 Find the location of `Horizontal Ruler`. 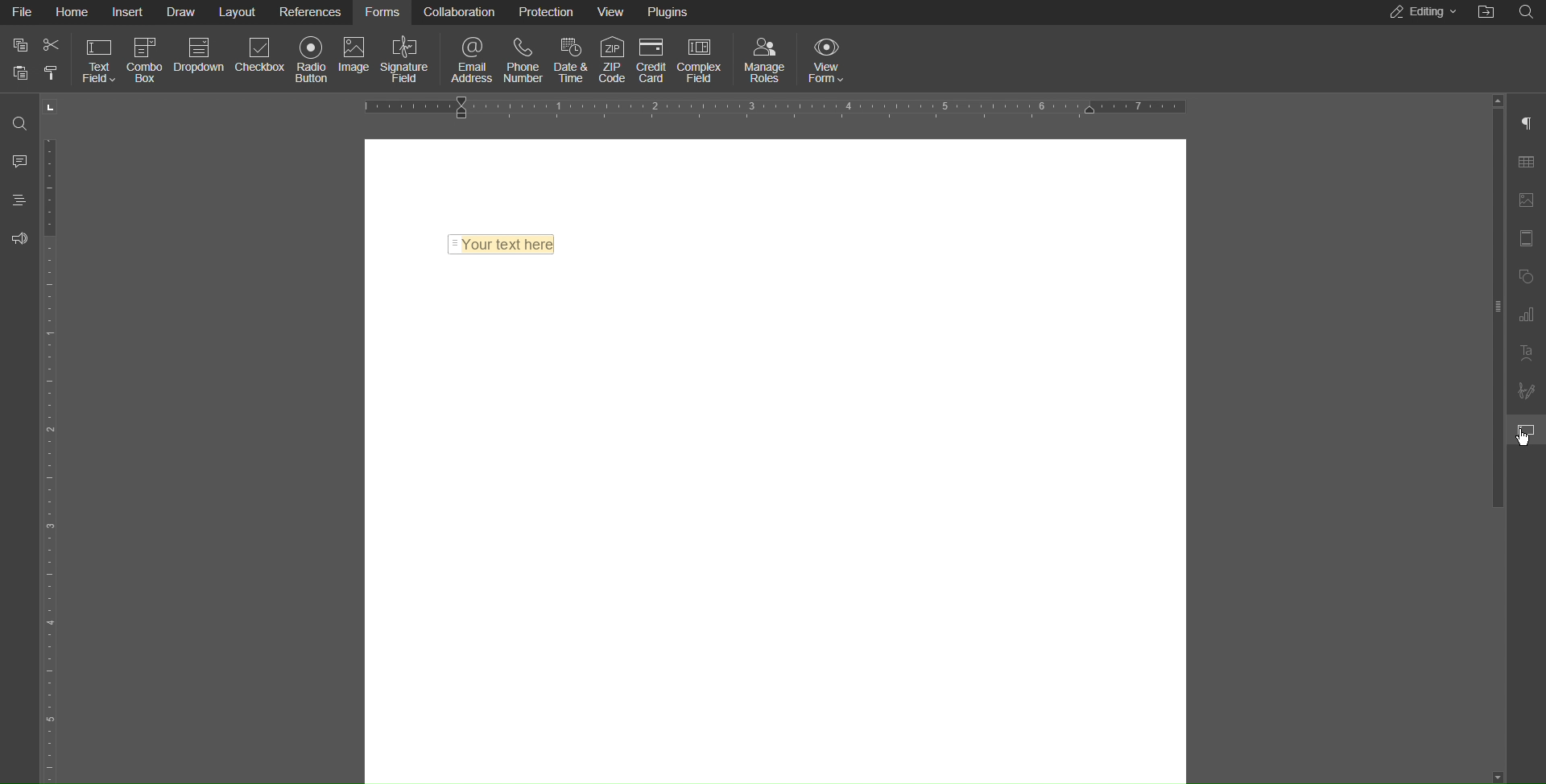

Horizontal Ruler is located at coordinates (780, 105).